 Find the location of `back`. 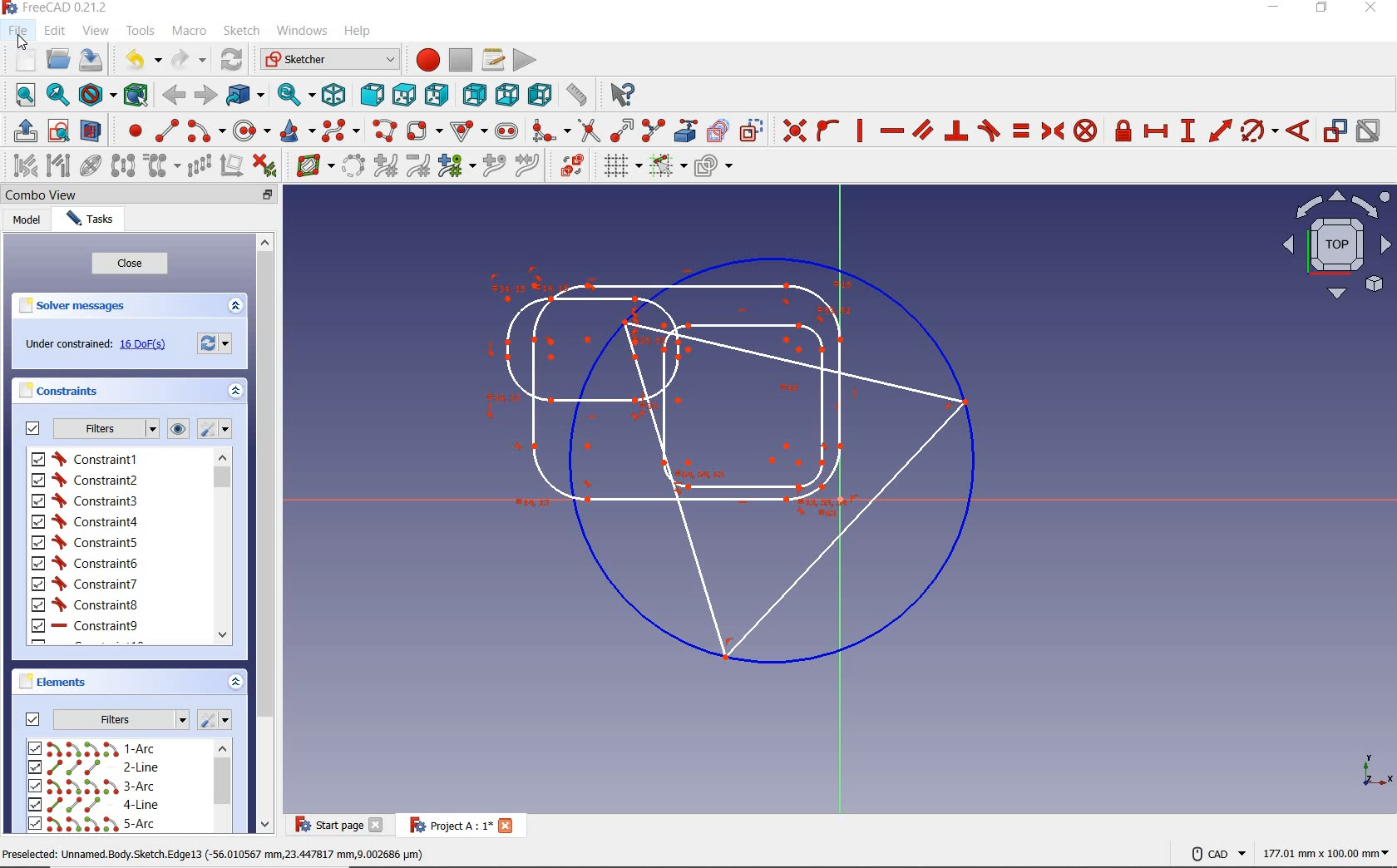

back is located at coordinates (173, 94).